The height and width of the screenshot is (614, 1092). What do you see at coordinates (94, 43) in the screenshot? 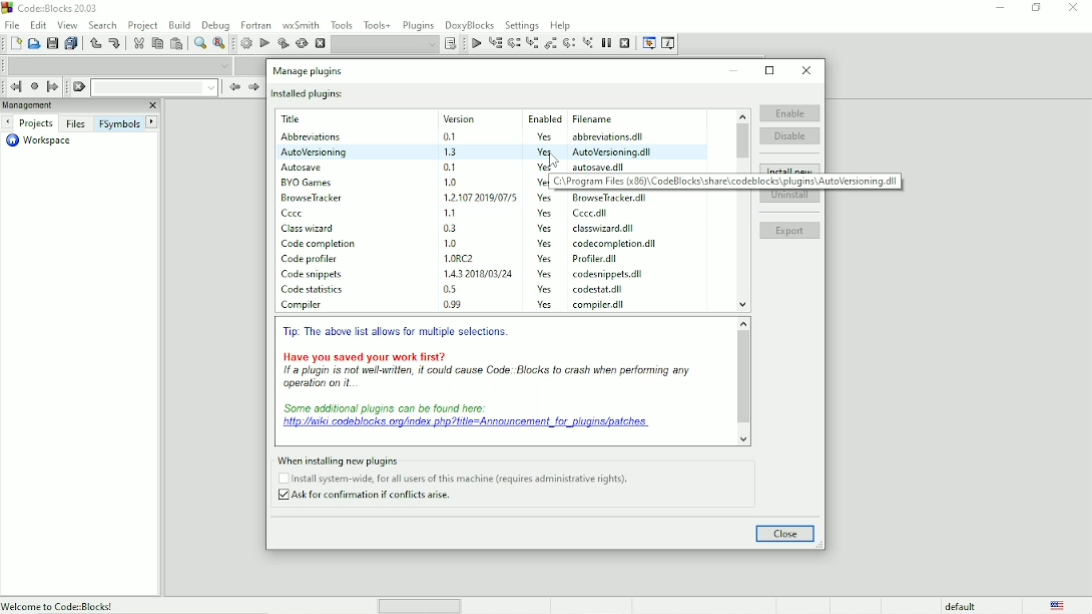
I see `Undo` at bounding box center [94, 43].